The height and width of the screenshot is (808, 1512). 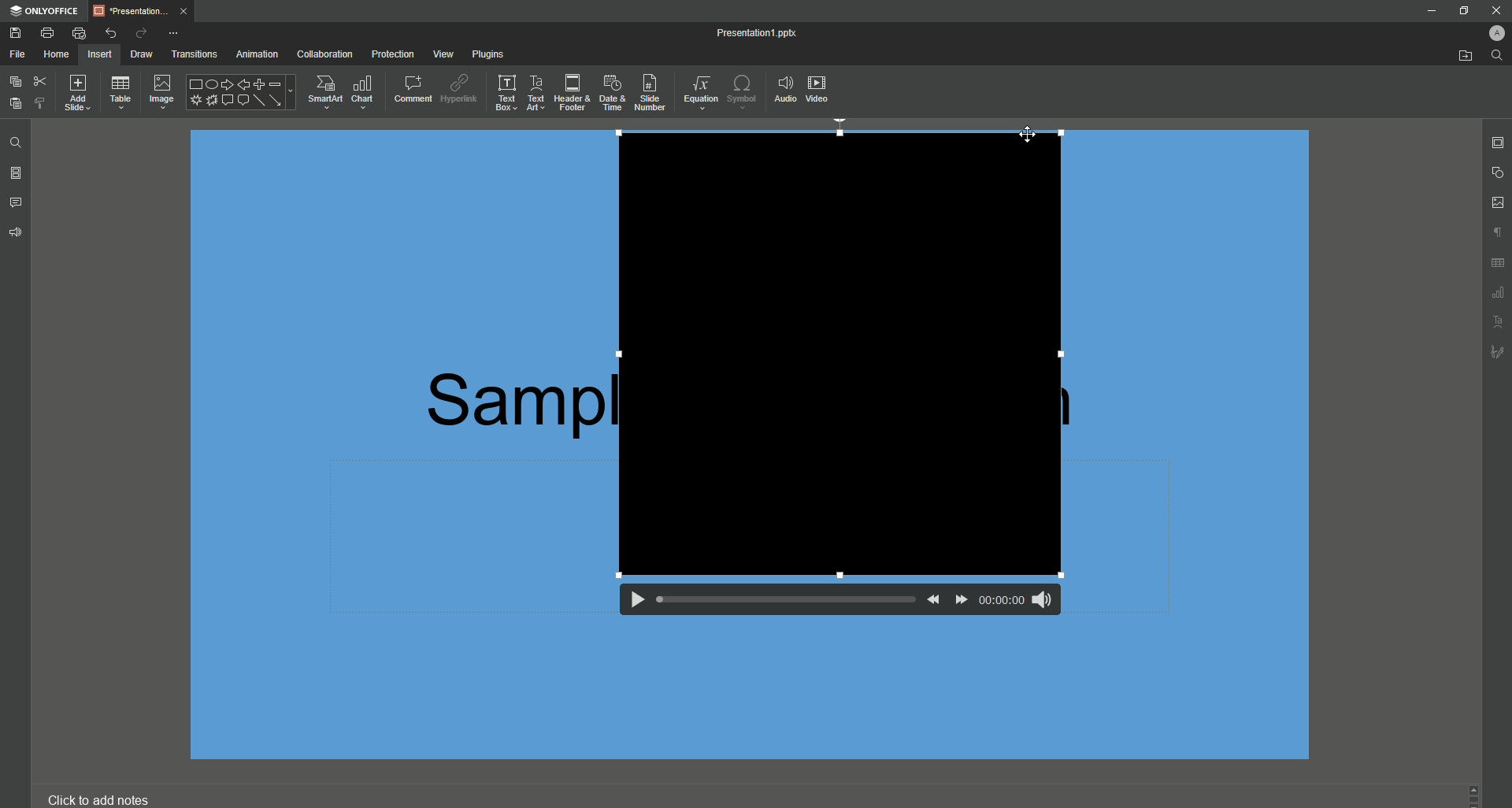 What do you see at coordinates (1497, 10) in the screenshot?
I see `close` at bounding box center [1497, 10].